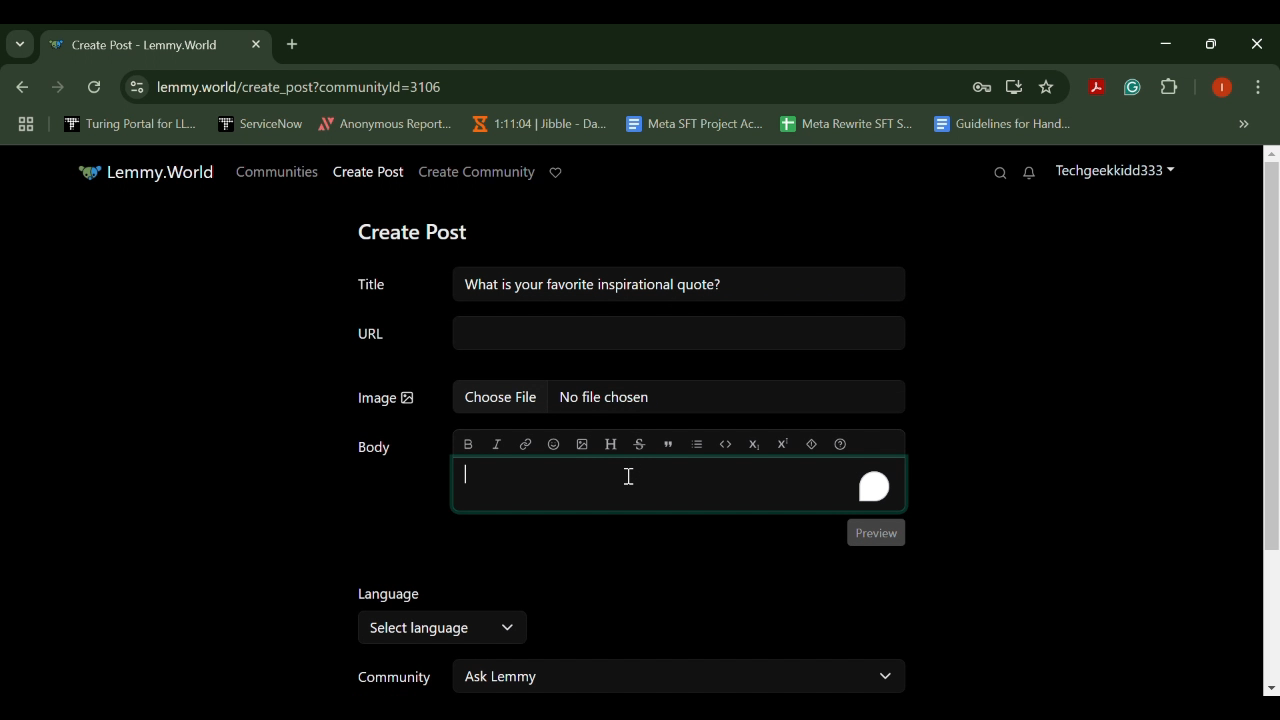  What do you see at coordinates (146, 172) in the screenshot?
I see `Lemmy.World` at bounding box center [146, 172].